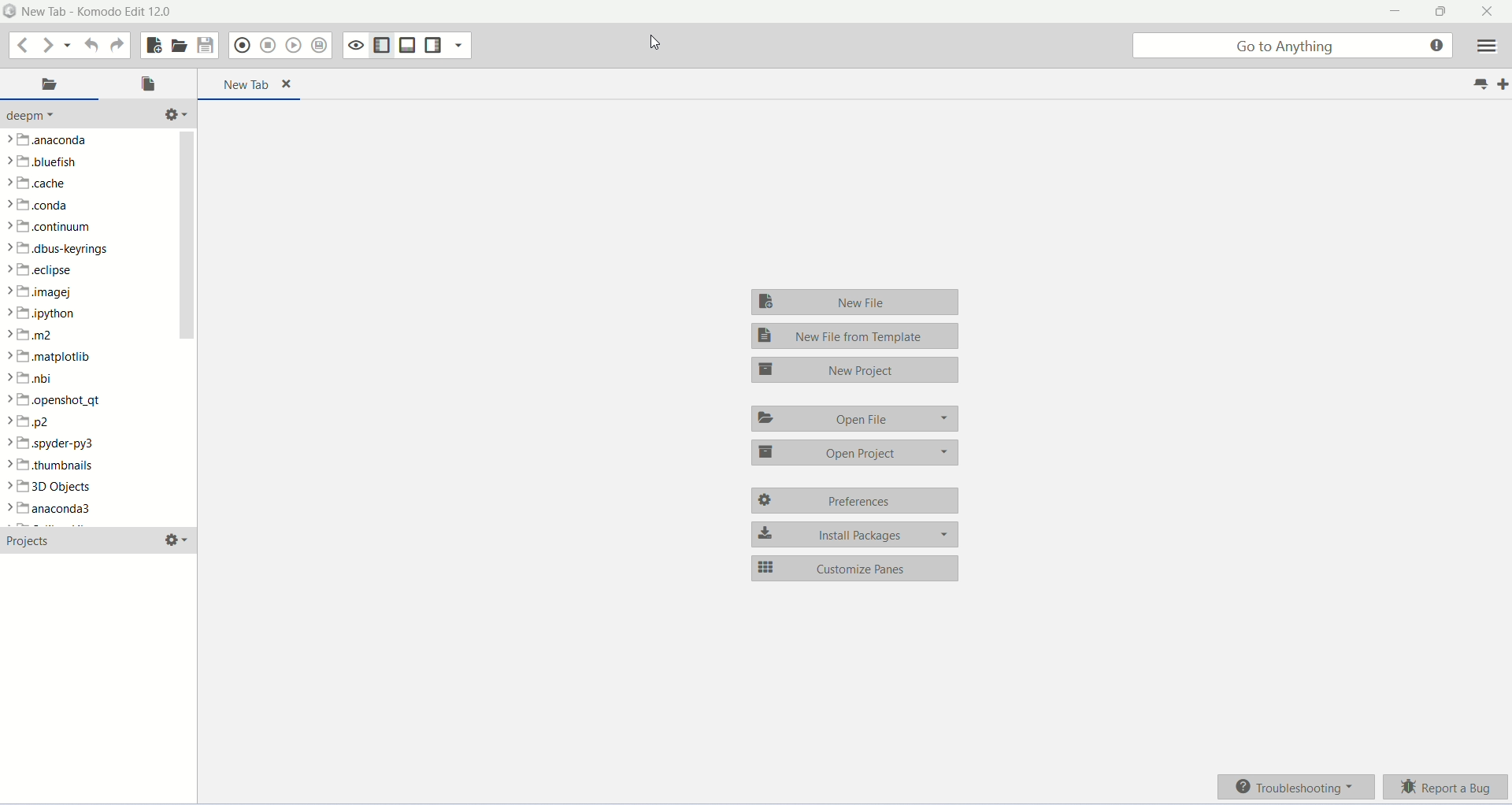  What do you see at coordinates (57, 443) in the screenshot?
I see `spyder` at bounding box center [57, 443].